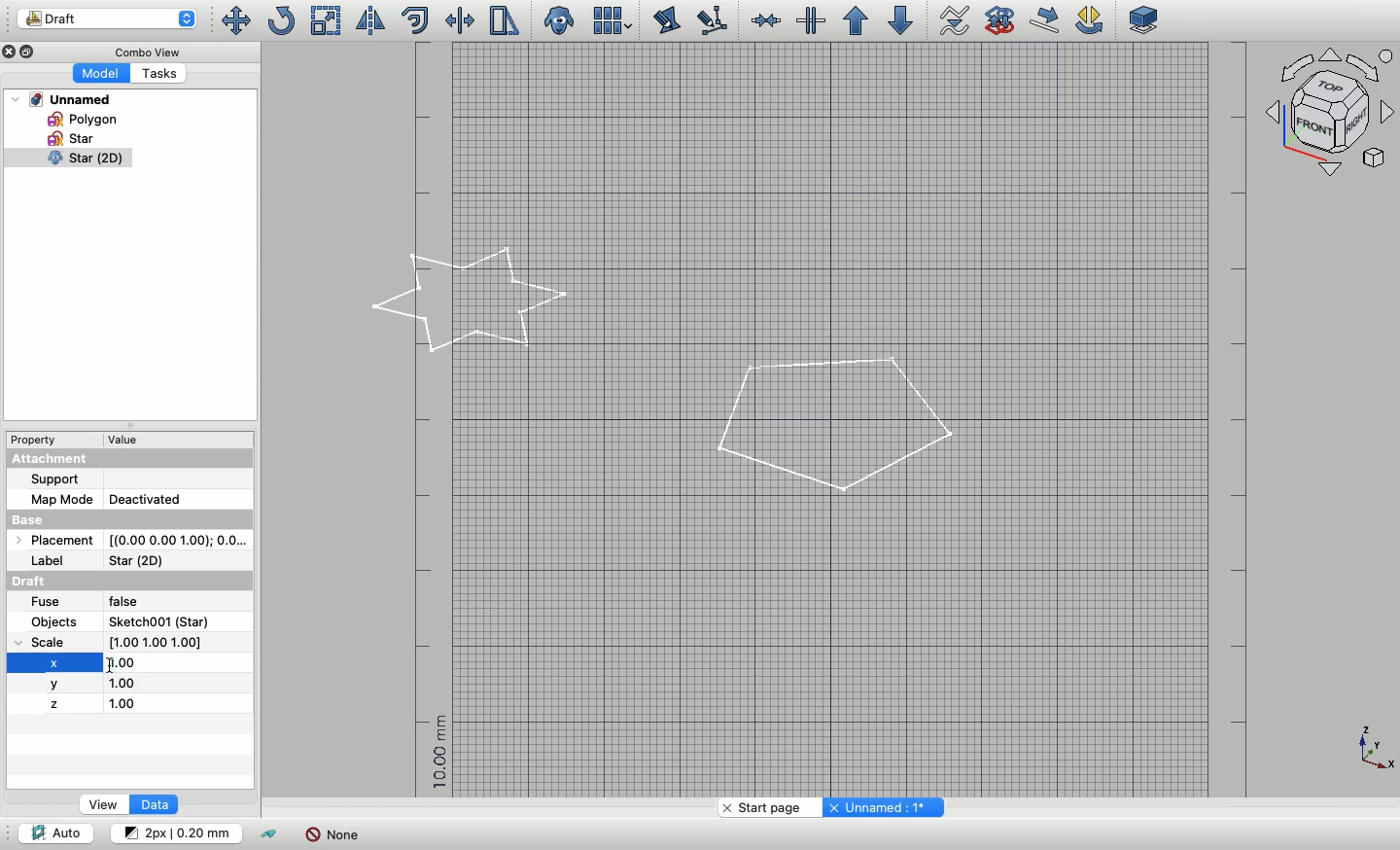 Image resolution: width=1400 pixels, height=850 pixels. Describe the element at coordinates (56, 621) in the screenshot. I see `Objects` at that location.